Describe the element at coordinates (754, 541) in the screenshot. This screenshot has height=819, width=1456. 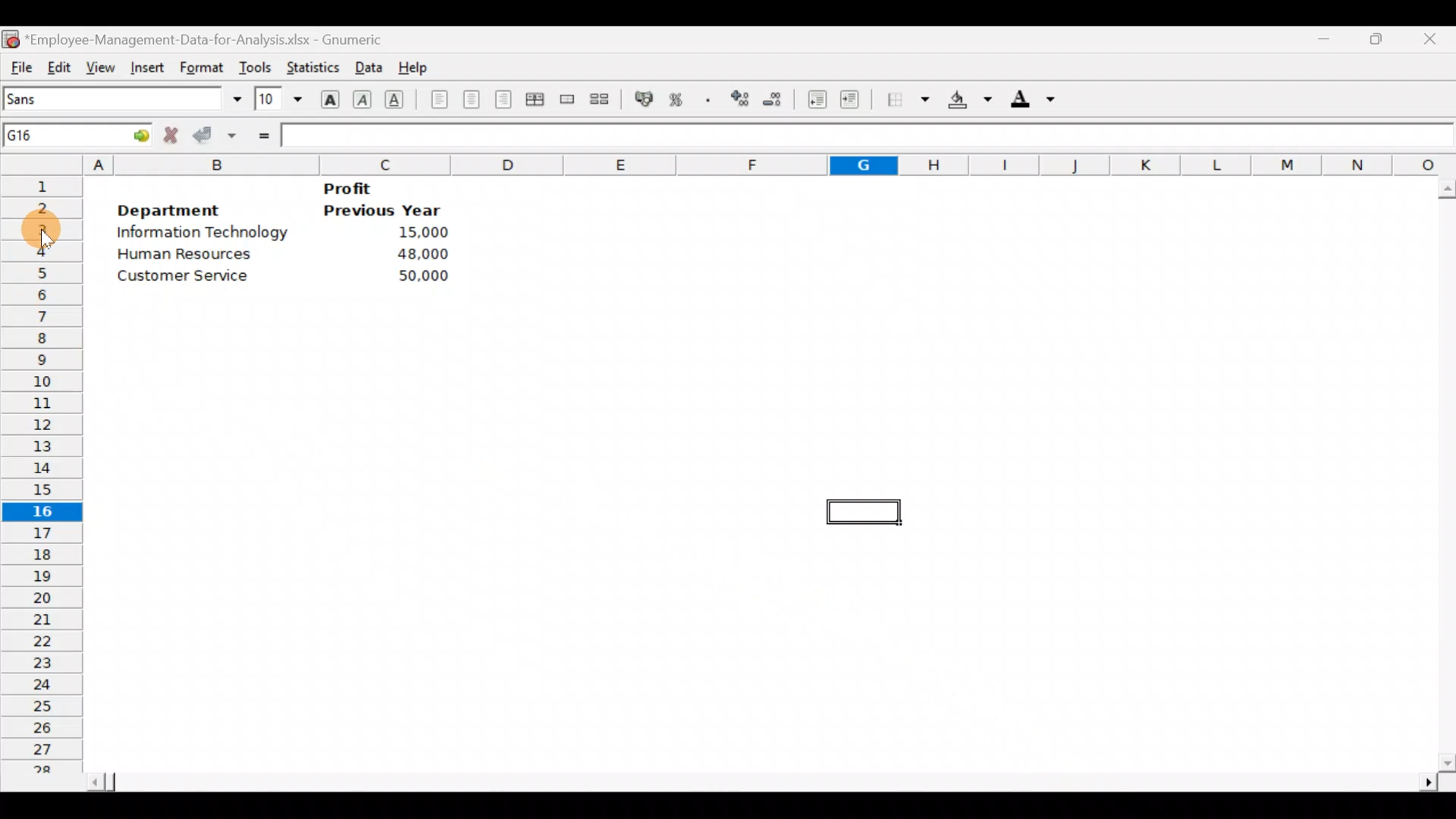
I see `Cells` at that location.